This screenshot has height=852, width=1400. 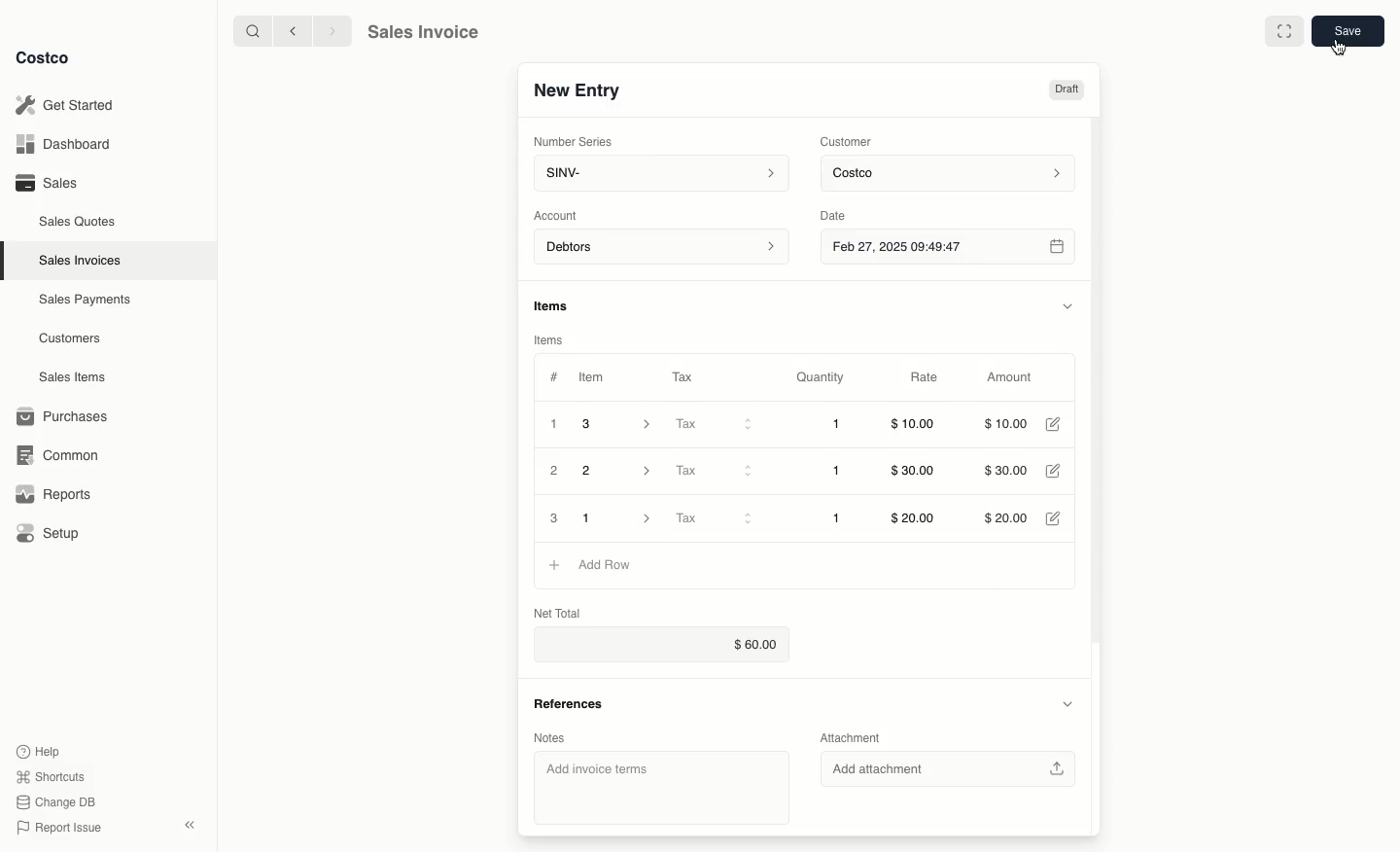 I want to click on $10.00, so click(x=914, y=427).